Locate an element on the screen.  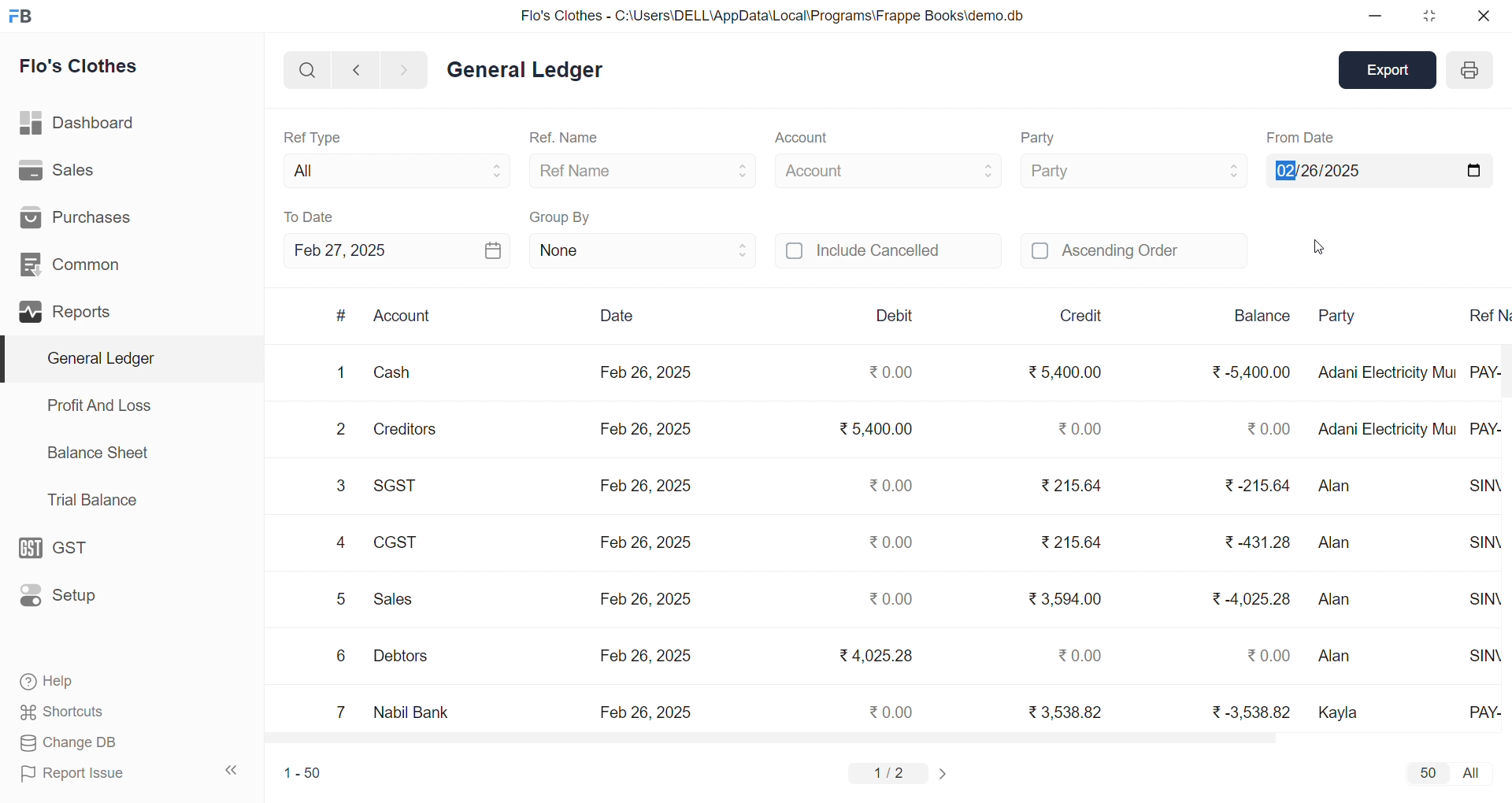
SEARCH is located at coordinates (306, 68).